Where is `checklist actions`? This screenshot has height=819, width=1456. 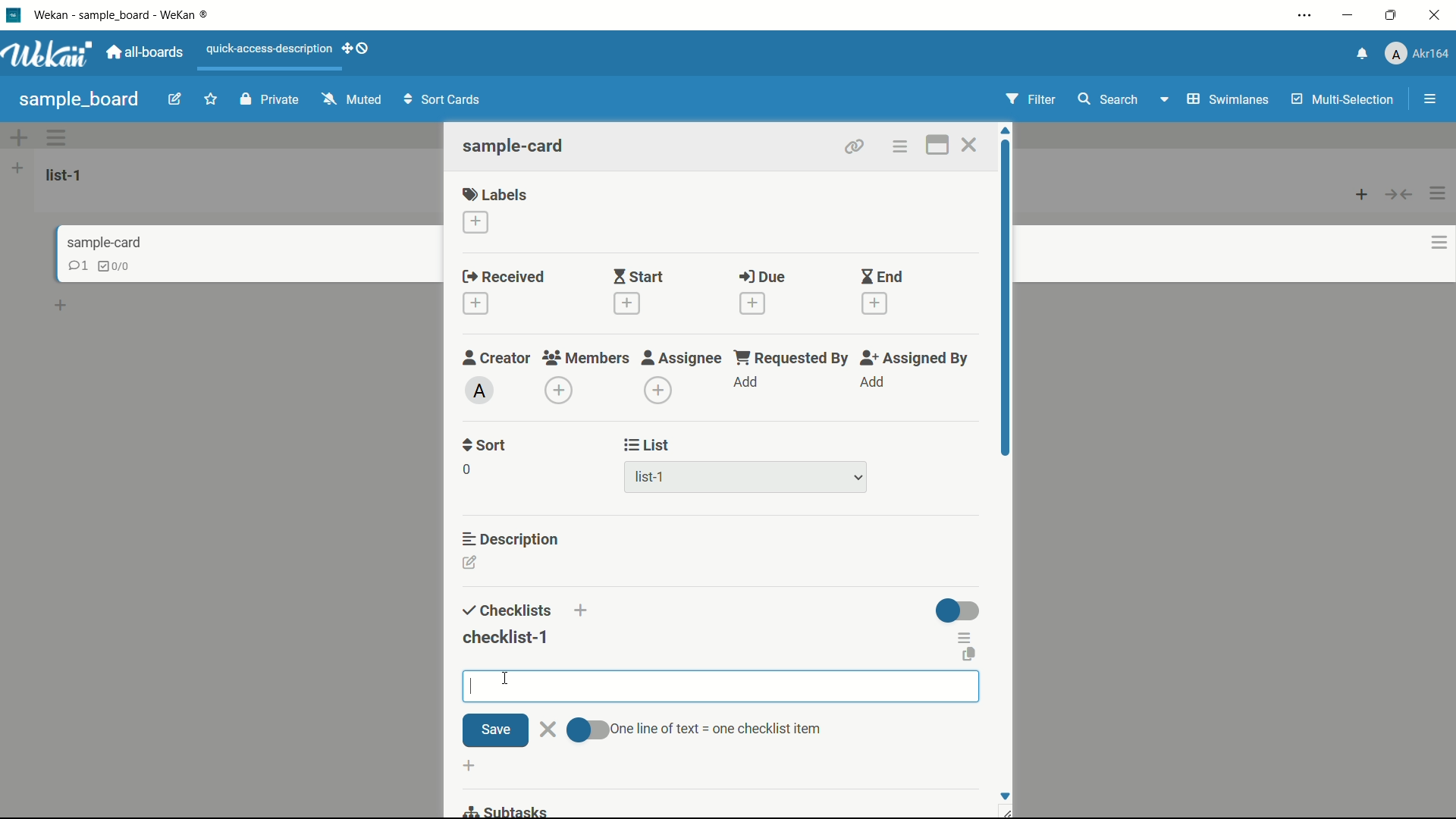 checklist actions is located at coordinates (965, 638).